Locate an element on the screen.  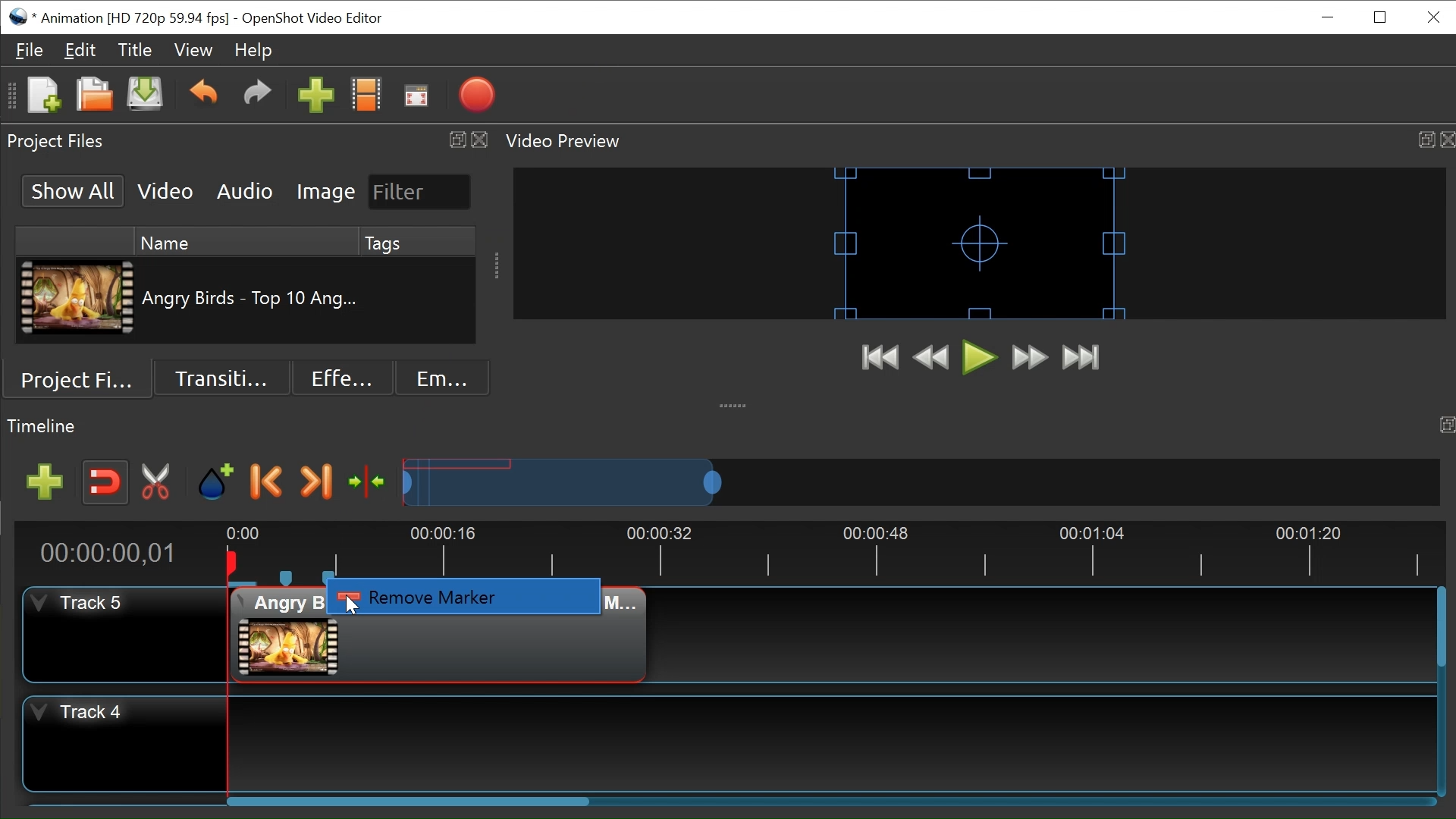
Preview Window is located at coordinates (981, 243).